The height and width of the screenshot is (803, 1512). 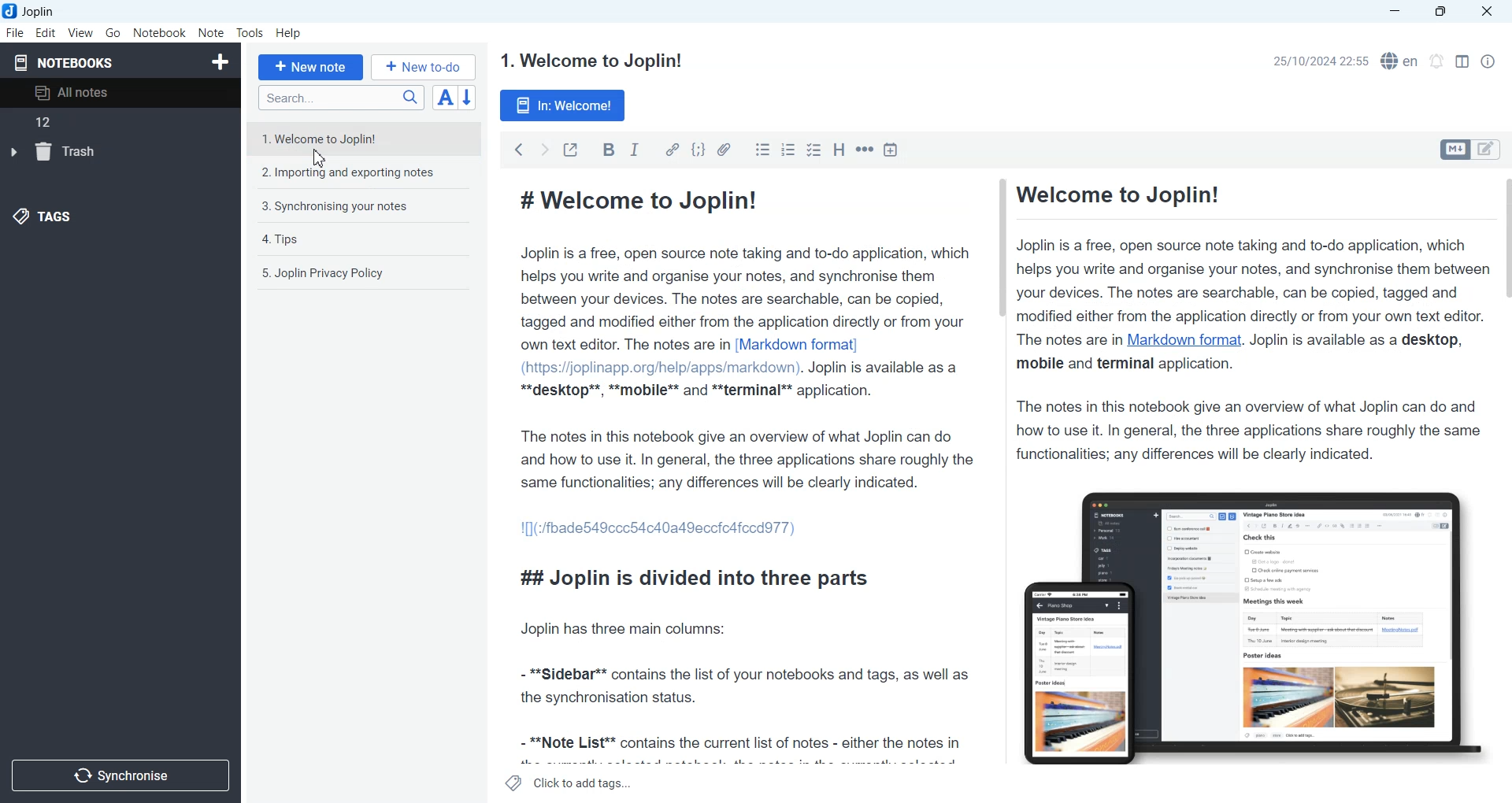 I want to click on View , so click(x=80, y=32).